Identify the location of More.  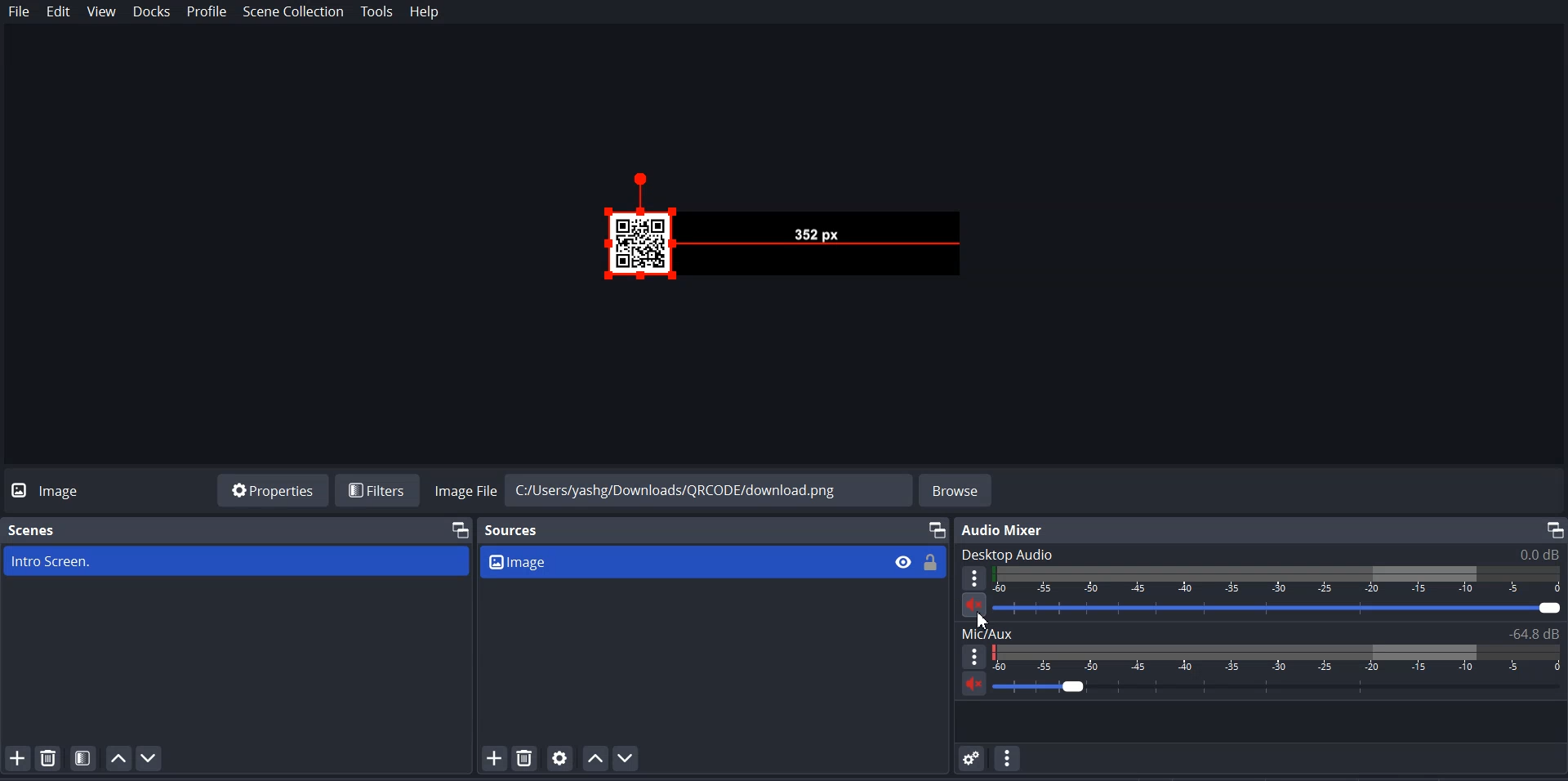
(974, 656).